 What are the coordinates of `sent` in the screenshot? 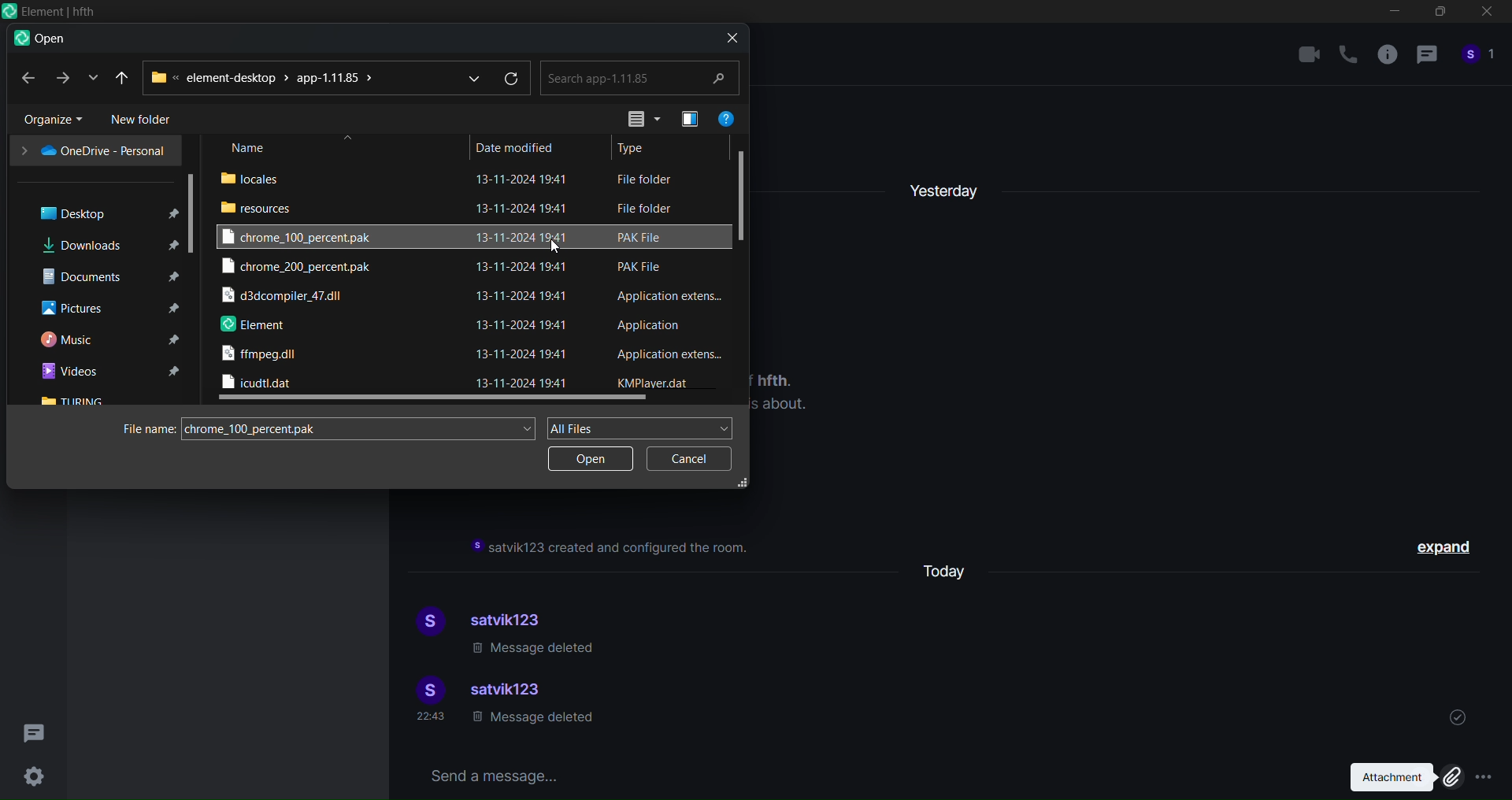 It's located at (1458, 715).